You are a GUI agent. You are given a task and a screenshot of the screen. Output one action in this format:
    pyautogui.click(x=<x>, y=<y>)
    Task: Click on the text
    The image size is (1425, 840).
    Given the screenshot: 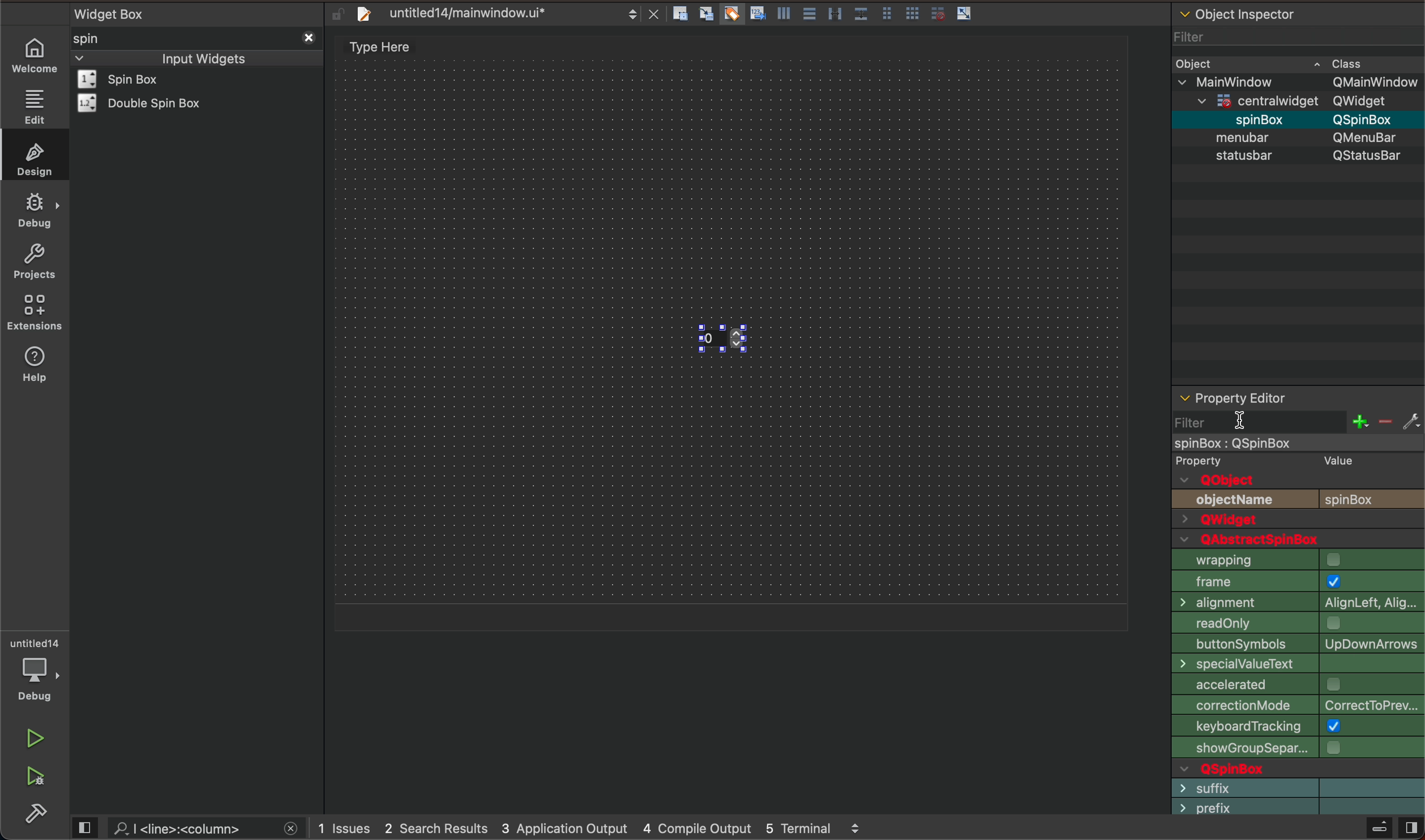 What is the action you would take?
    pyautogui.click(x=1238, y=500)
    